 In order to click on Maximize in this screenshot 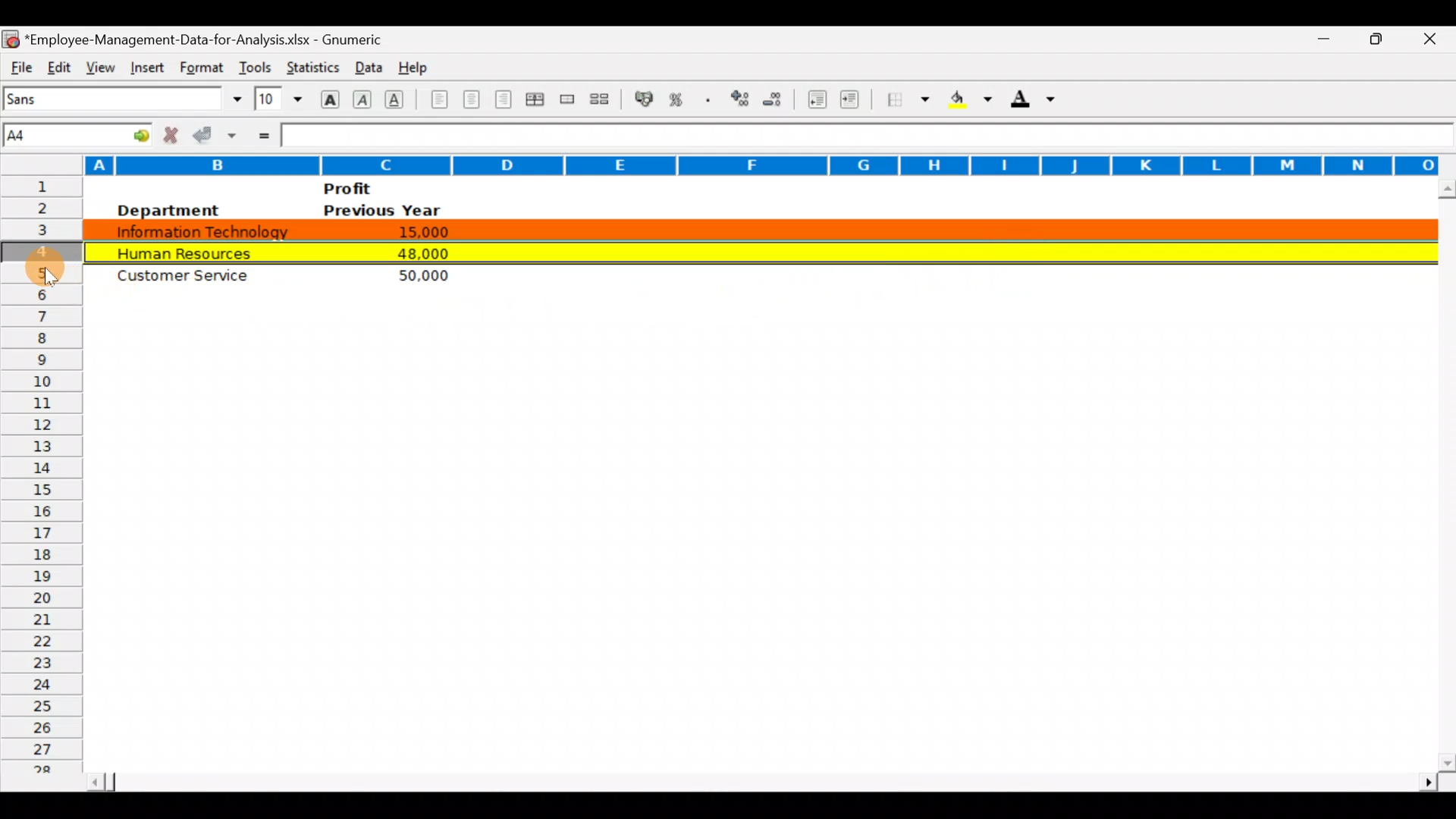, I will do `click(1382, 37)`.